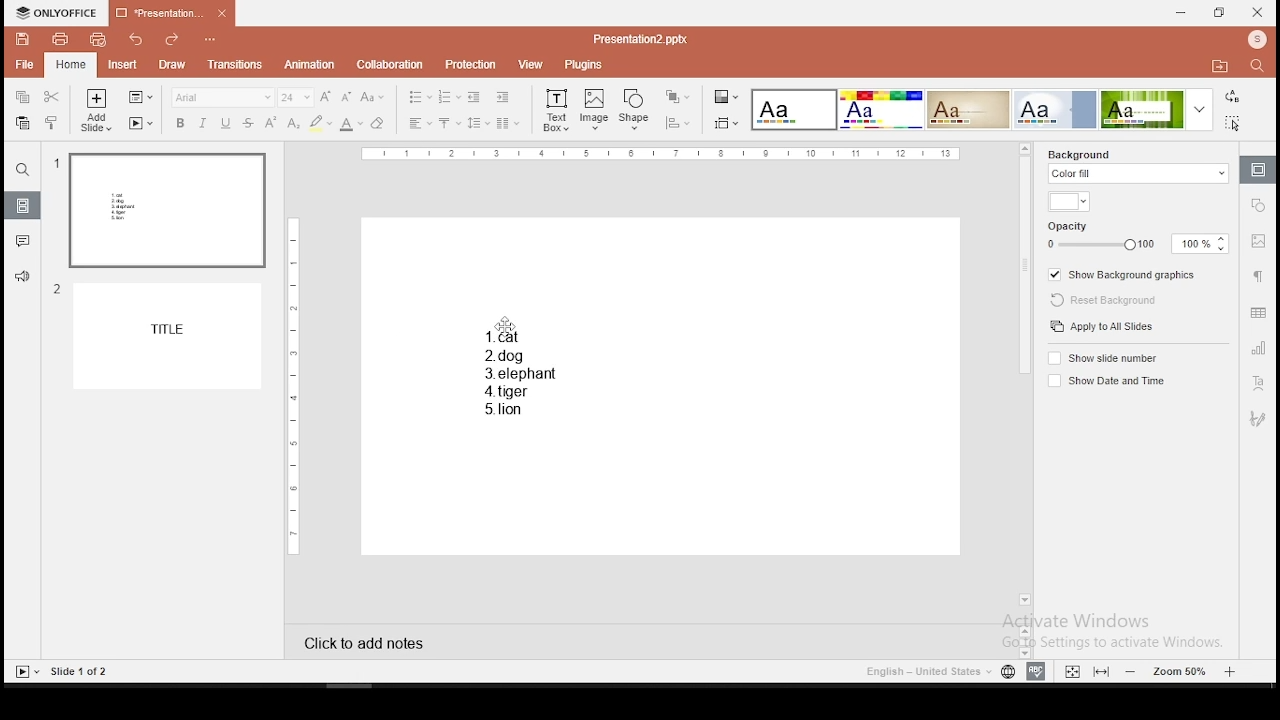 This screenshot has height=720, width=1280. I want to click on text box, so click(555, 111).